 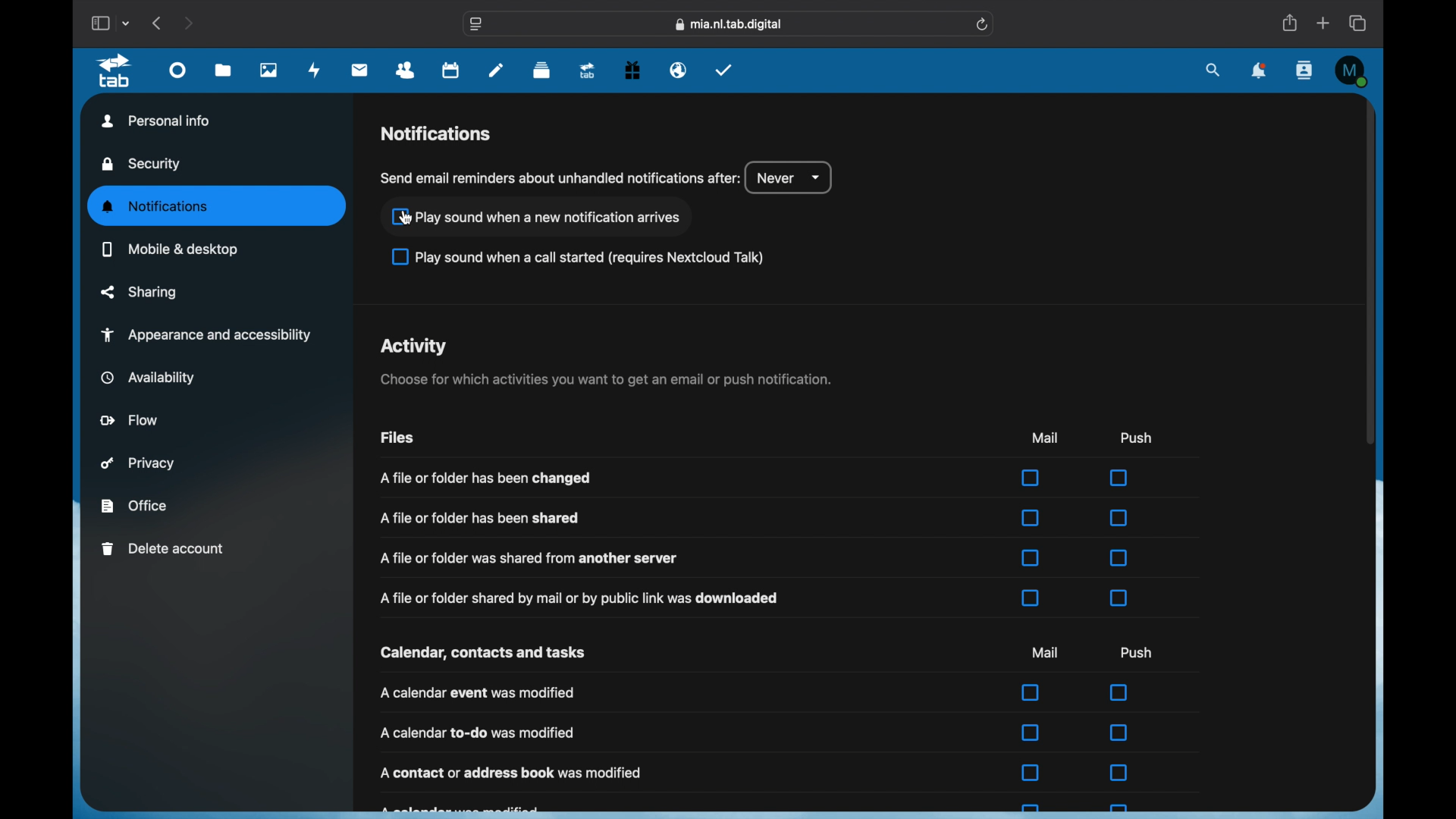 I want to click on info, so click(x=532, y=557).